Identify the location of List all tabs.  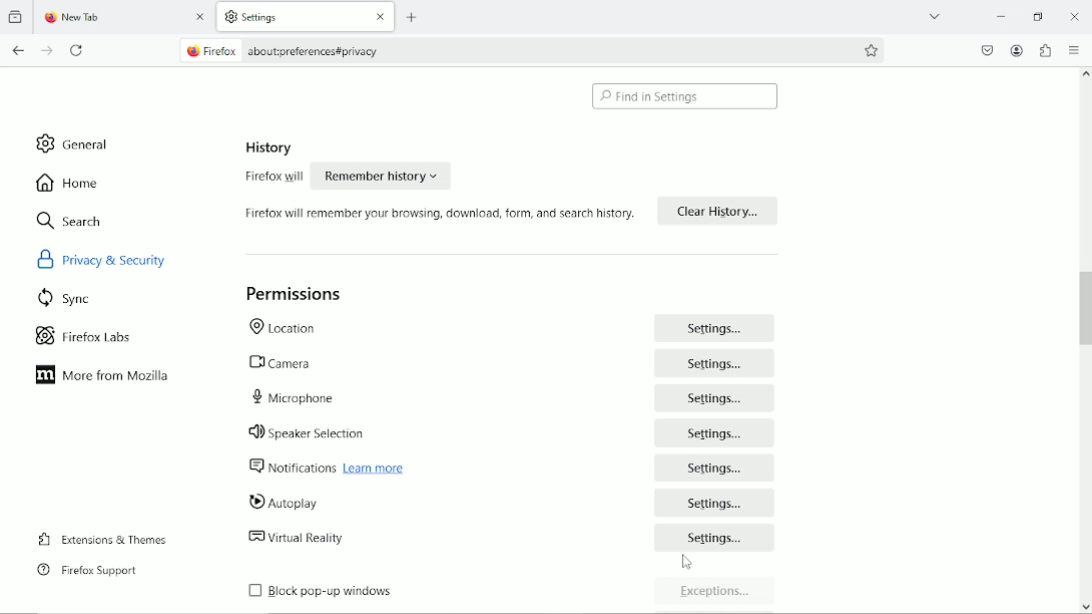
(934, 15).